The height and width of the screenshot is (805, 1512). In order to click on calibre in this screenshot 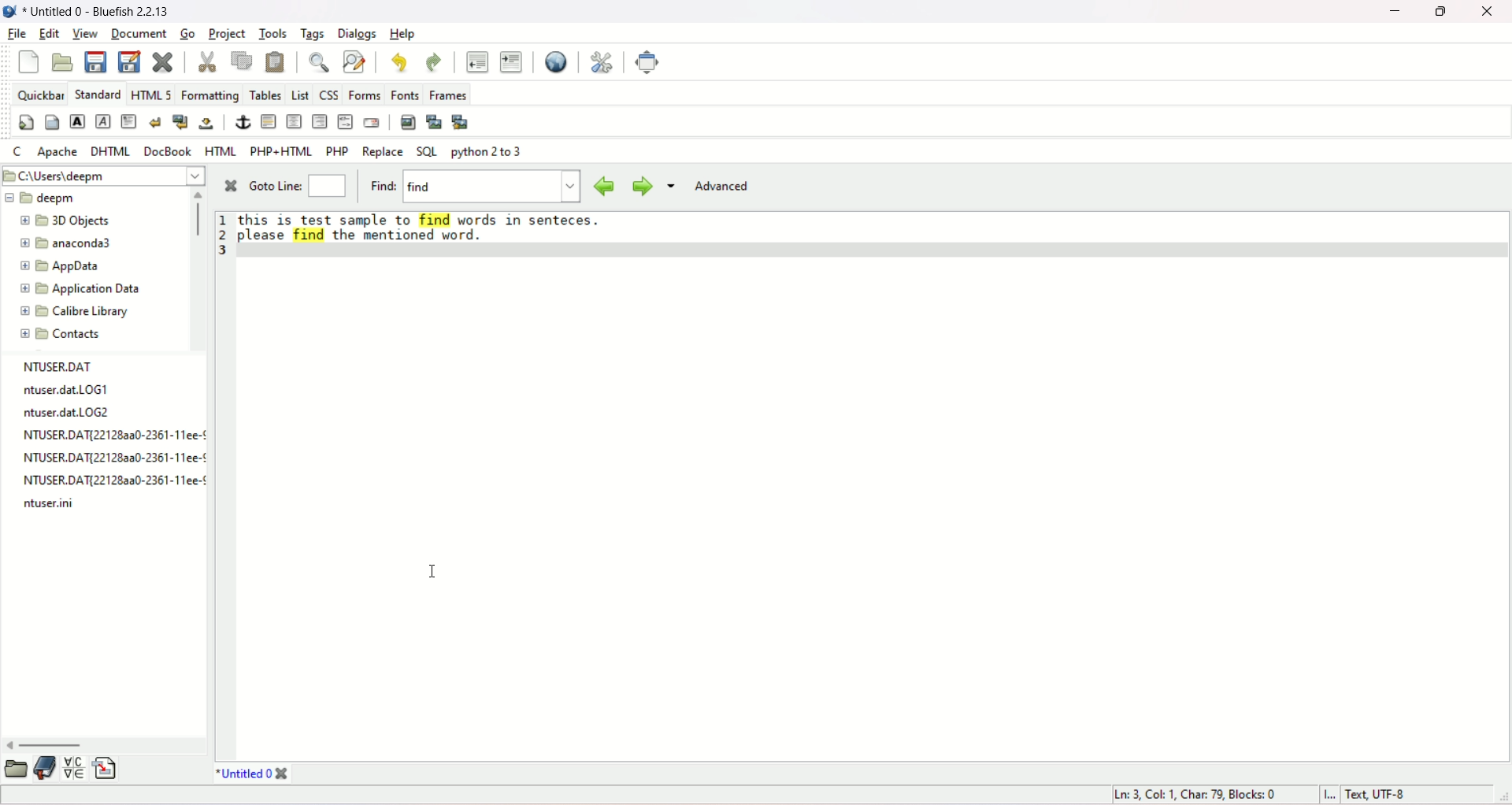, I will do `click(69, 311)`.